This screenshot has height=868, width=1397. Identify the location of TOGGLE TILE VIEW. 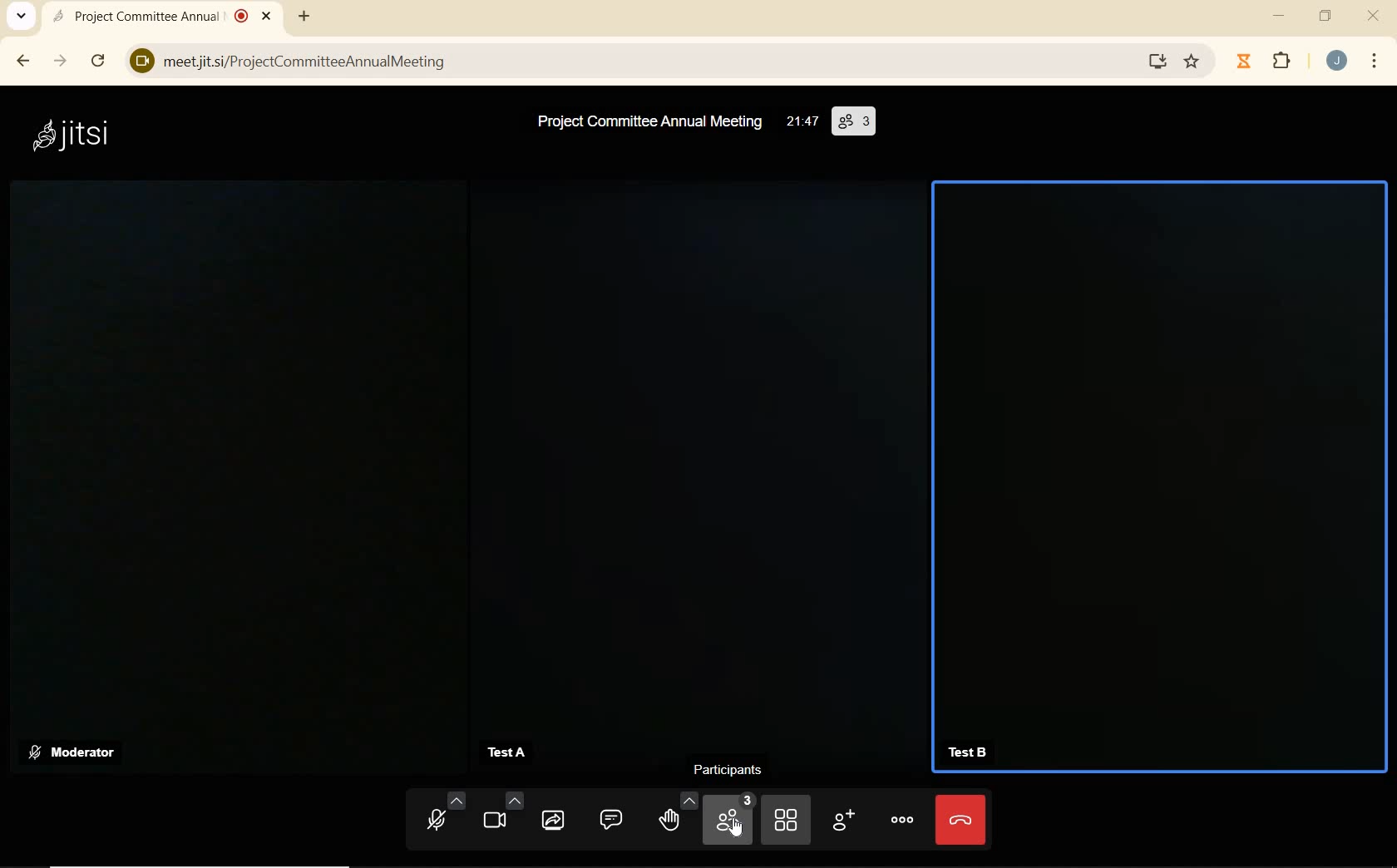
(787, 817).